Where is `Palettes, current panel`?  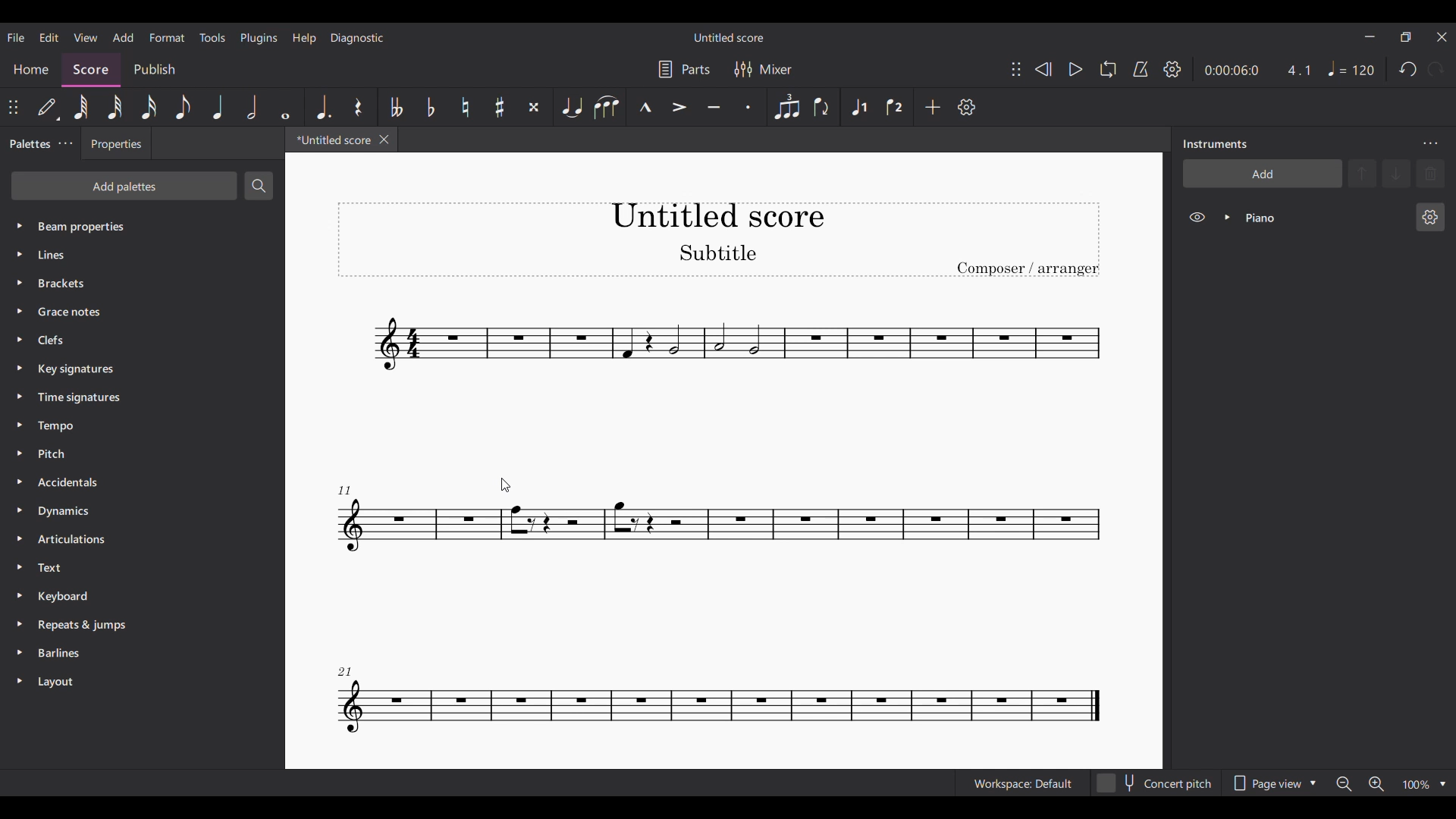
Palettes, current panel is located at coordinates (27, 146).